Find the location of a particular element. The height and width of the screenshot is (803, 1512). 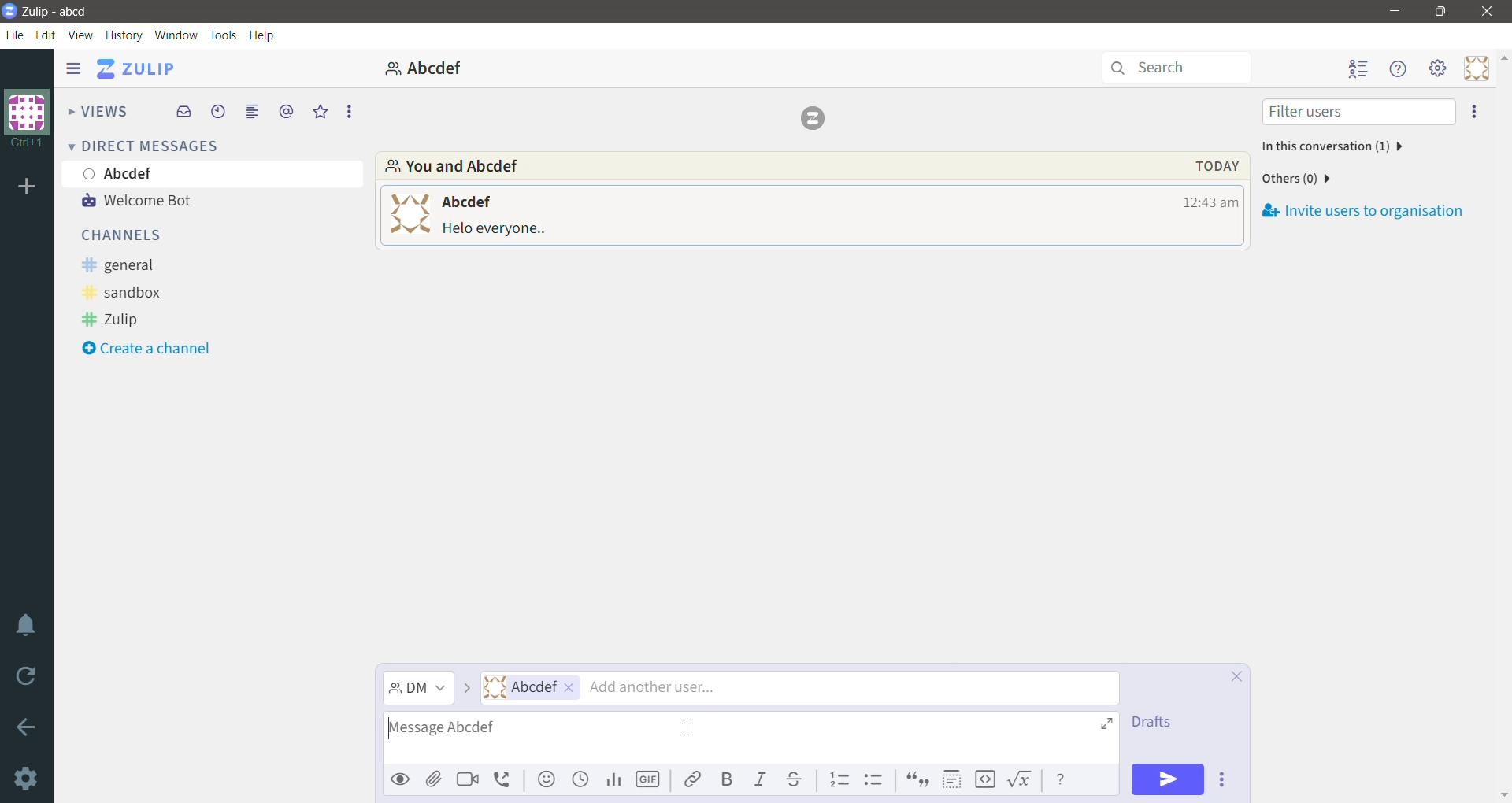

 is located at coordinates (696, 779).